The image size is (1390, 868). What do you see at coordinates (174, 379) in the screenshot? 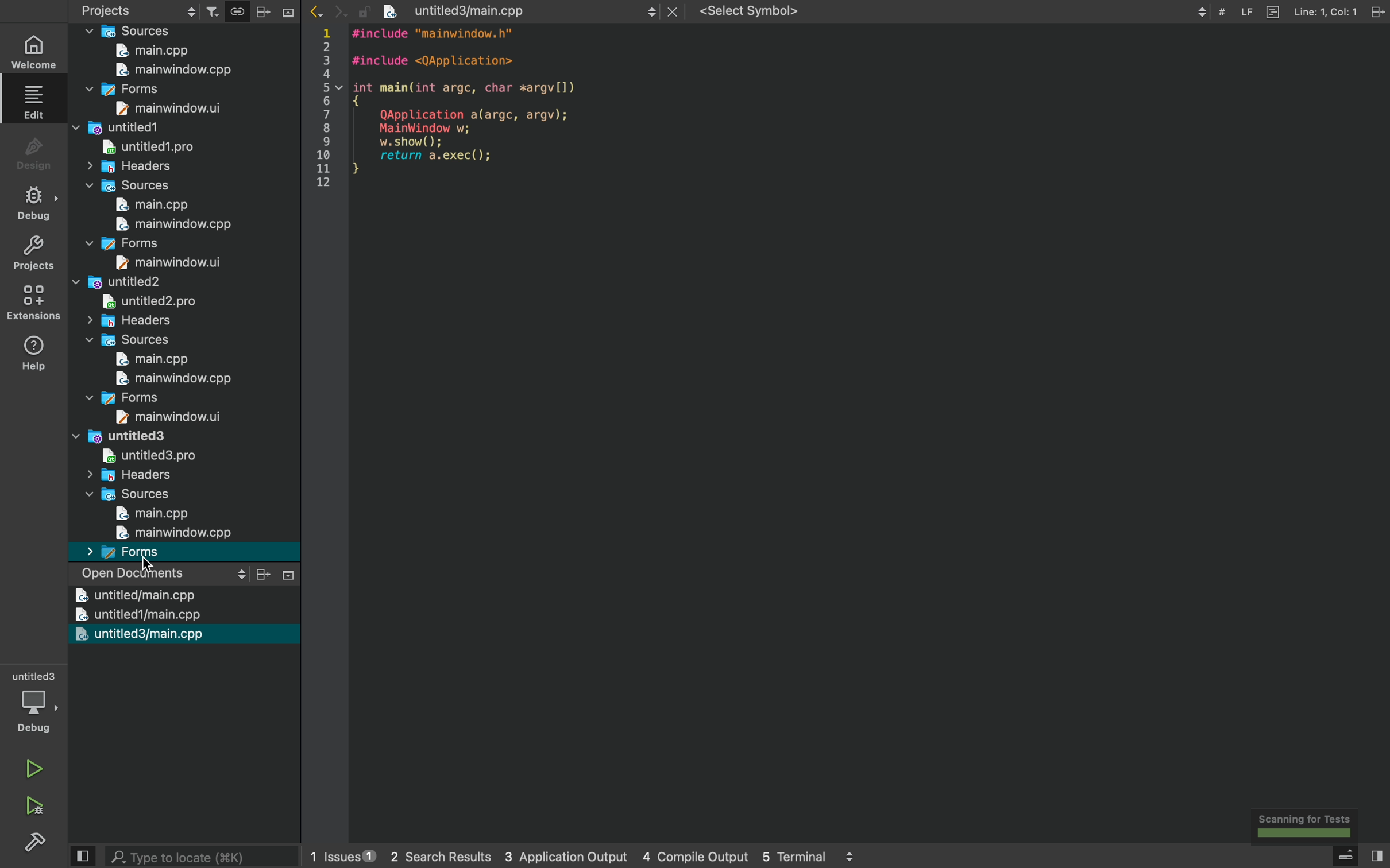
I see `mainwindow` at bounding box center [174, 379].